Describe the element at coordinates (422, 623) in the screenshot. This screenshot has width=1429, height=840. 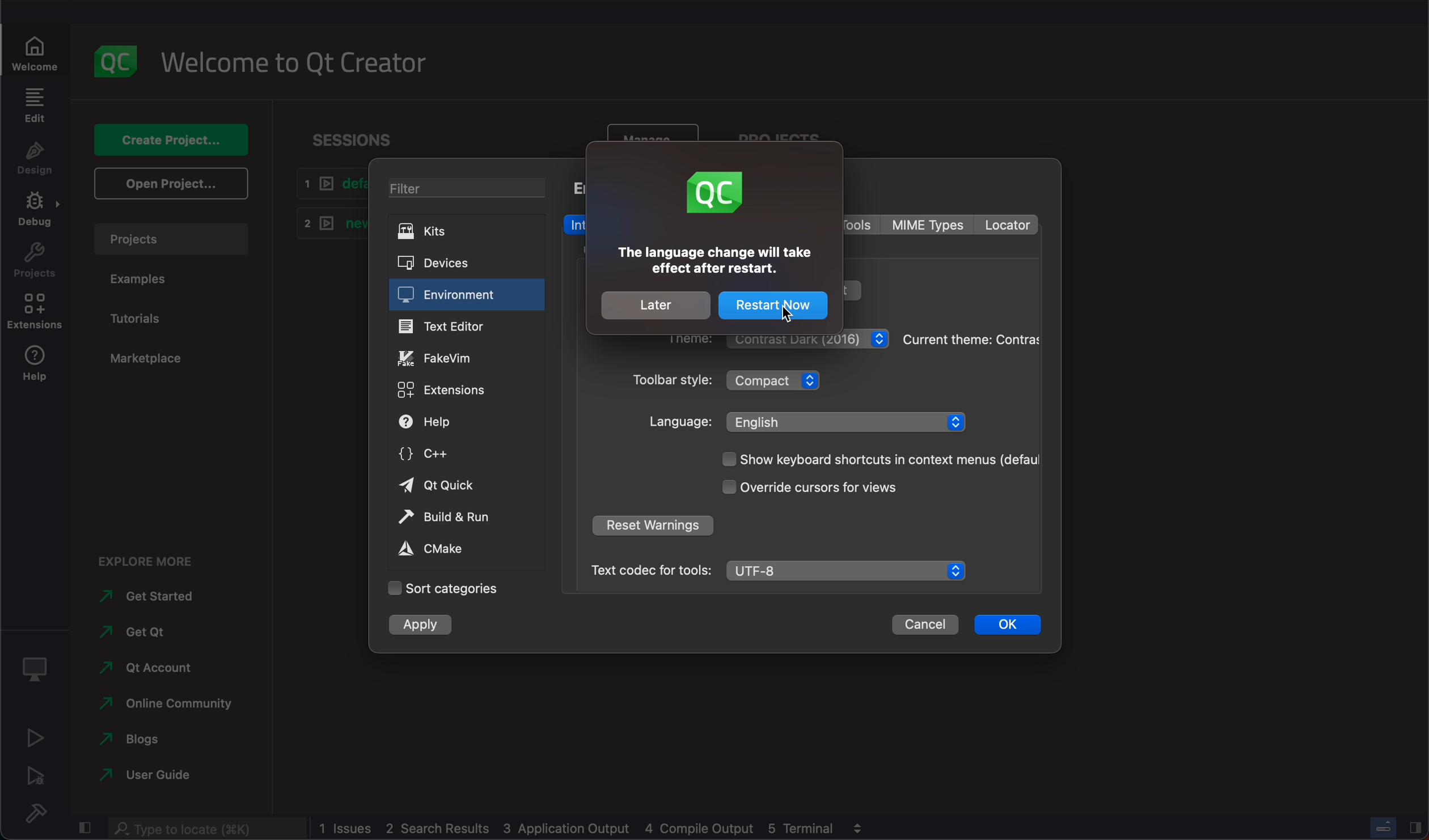
I see `apply` at that location.